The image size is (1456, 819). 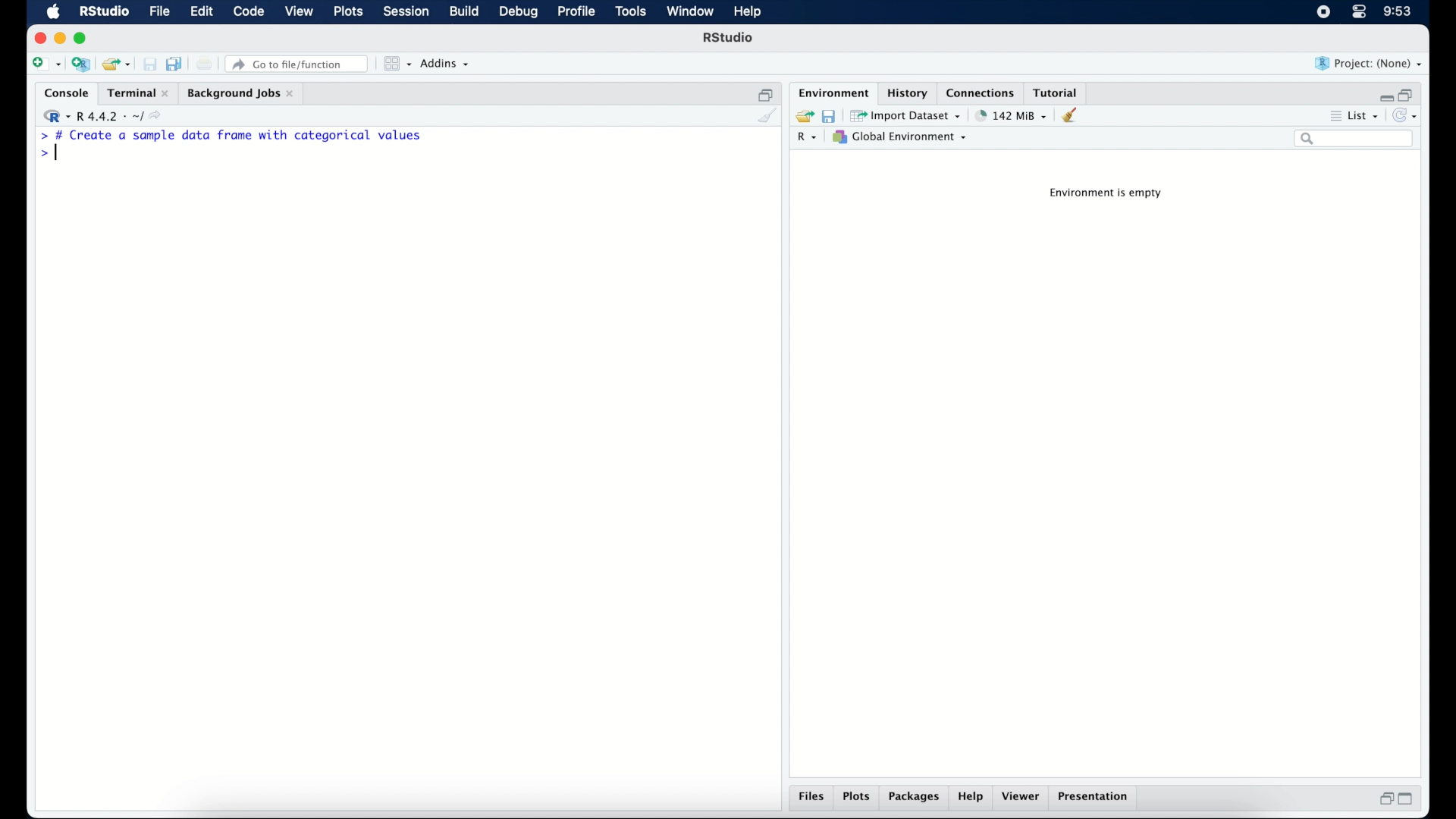 I want to click on clear console, so click(x=768, y=116).